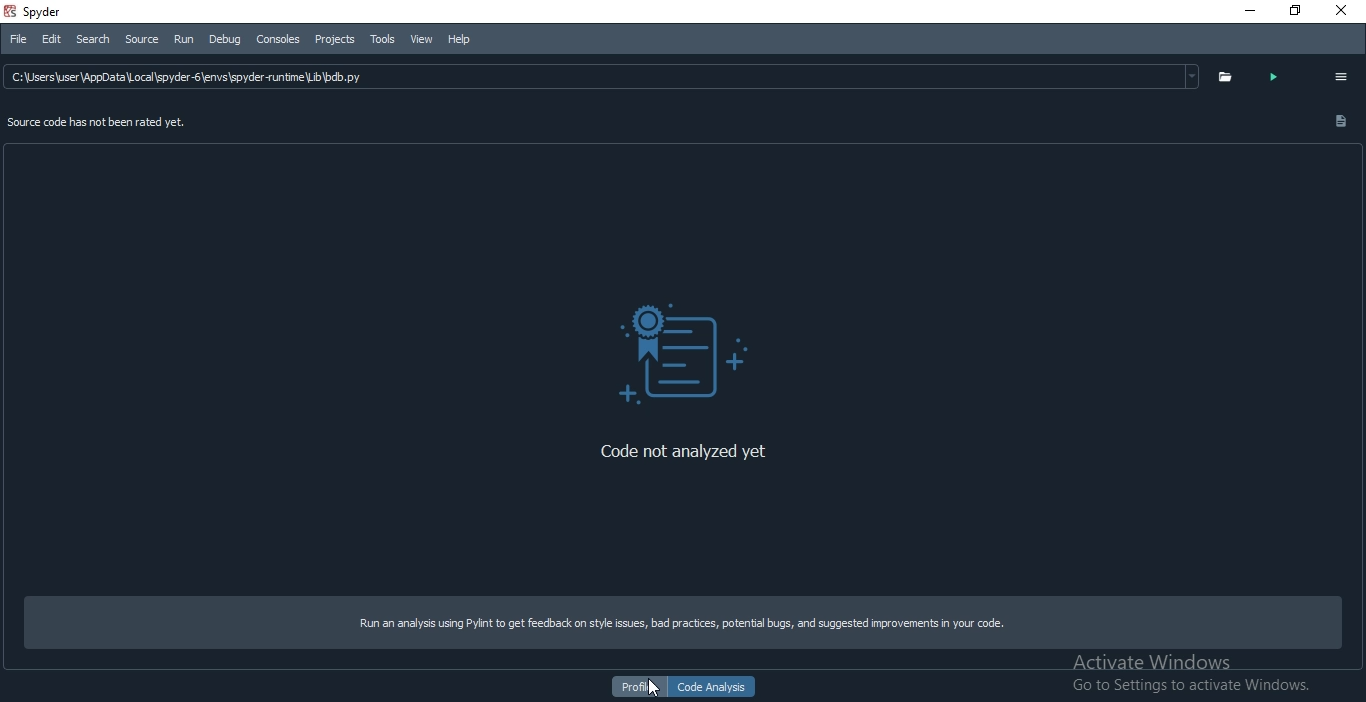 The height and width of the screenshot is (702, 1366). I want to click on Tools, so click(382, 39).